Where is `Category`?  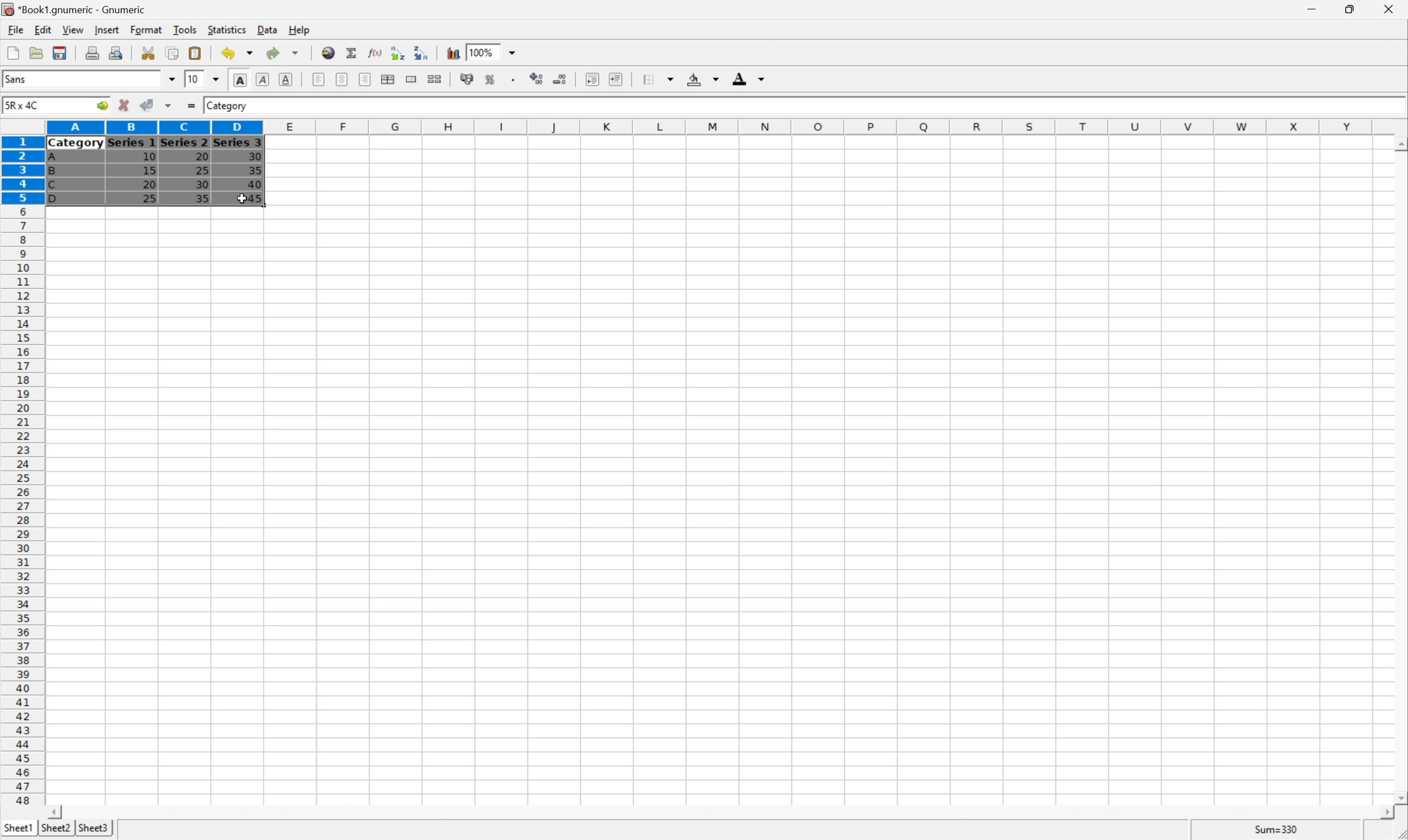
Category is located at coordinates (228, 106).